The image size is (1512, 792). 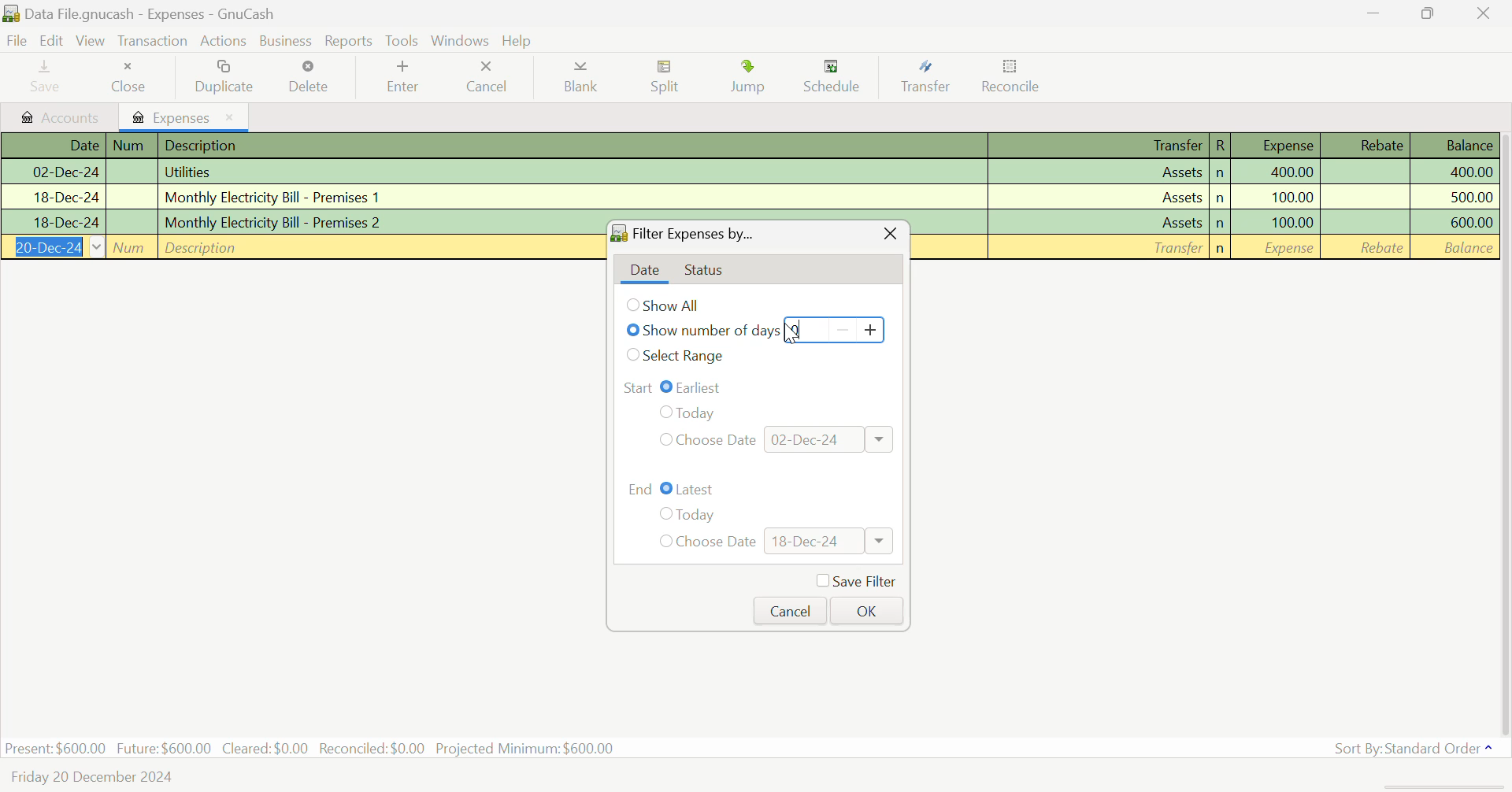 I want to click on Date tab open, so click(x=644, y=272).